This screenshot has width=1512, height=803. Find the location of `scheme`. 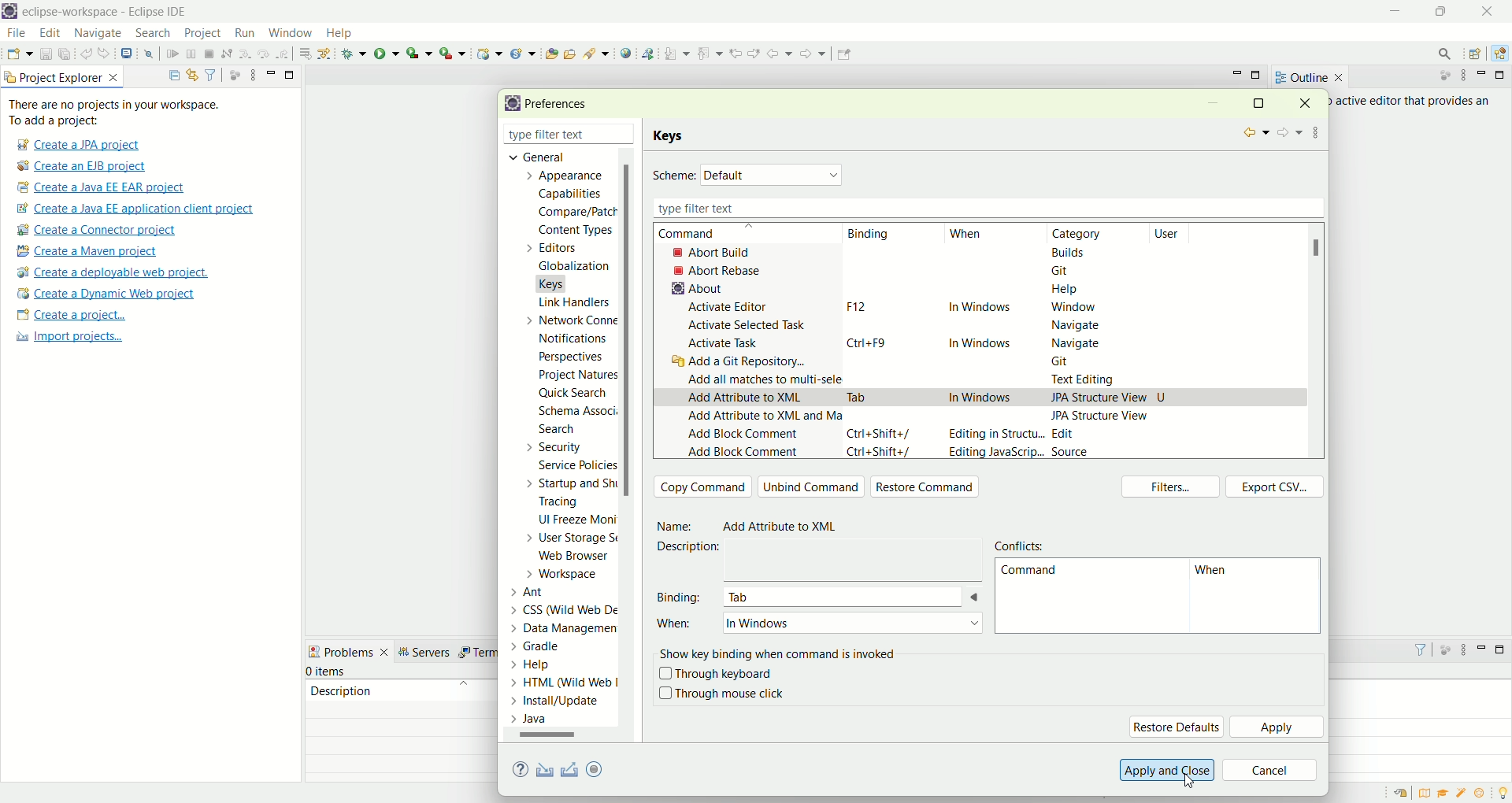

scheme is located at coordinates (674, 176).